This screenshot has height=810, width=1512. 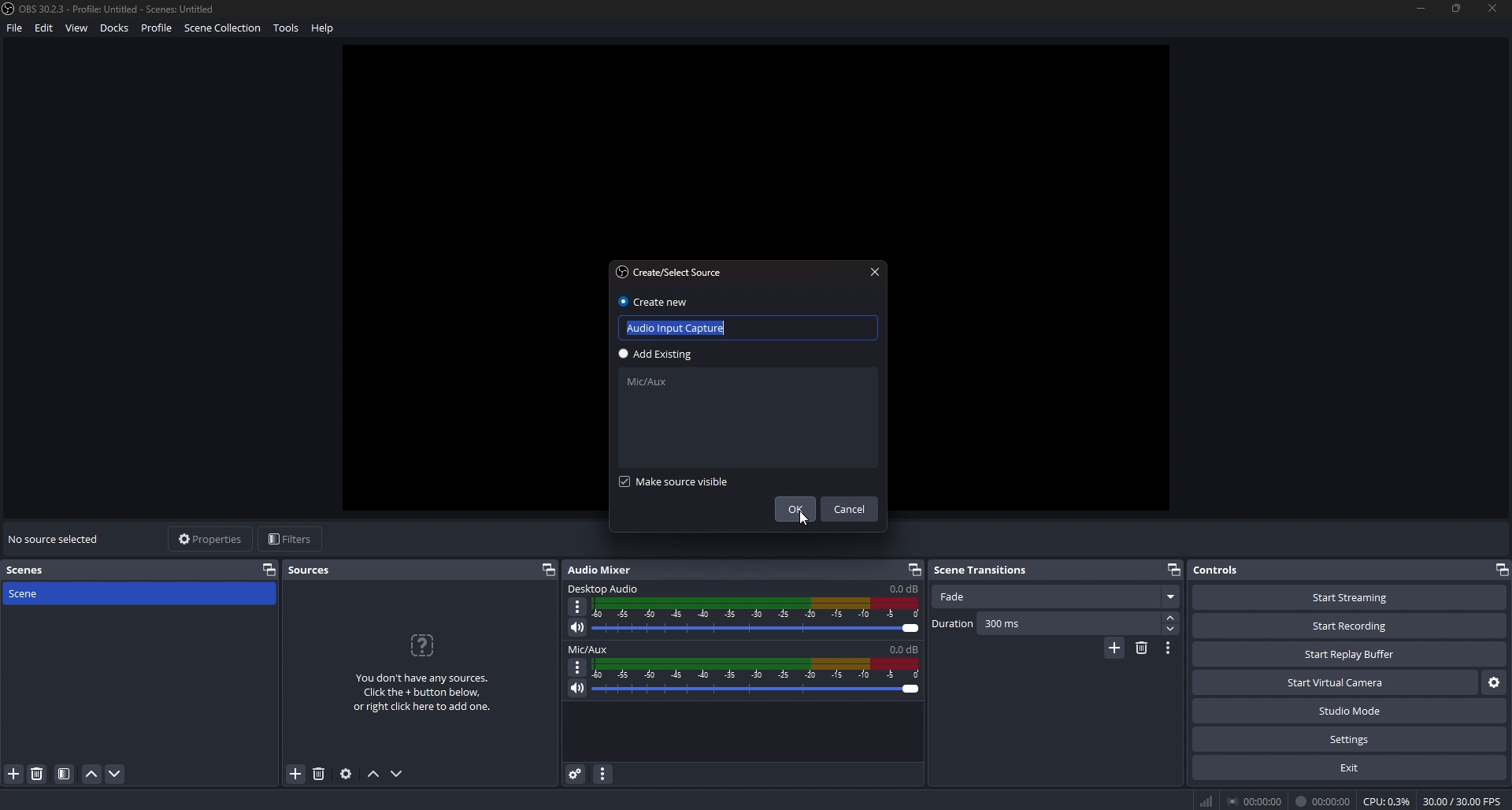 What do you see at coordinates (1169, 648) in the screenshot?
I see `transition properties` at bounding box center [1169, 648].